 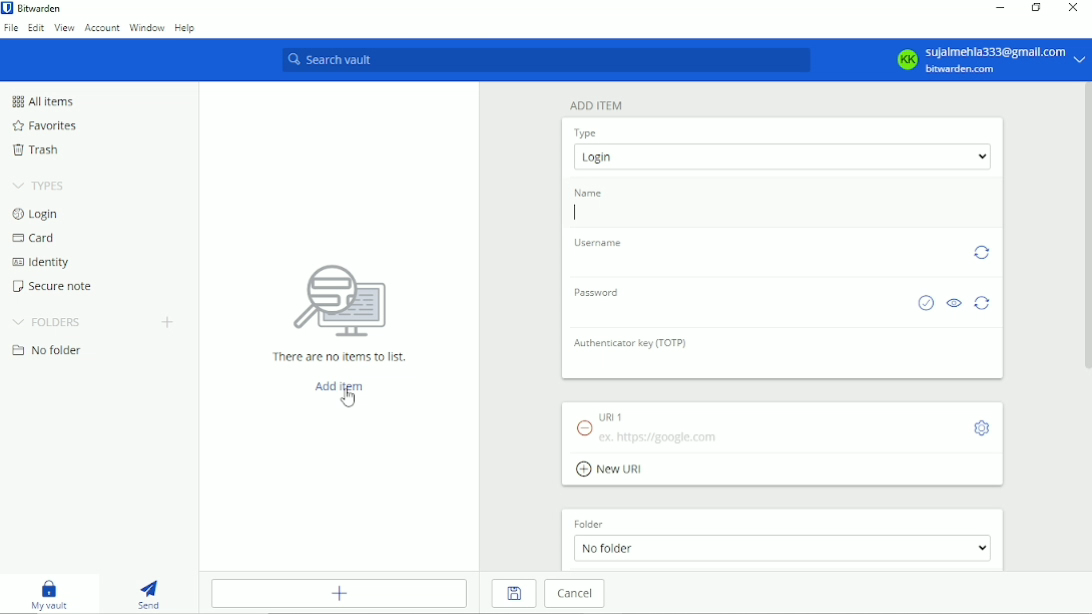 What do you see at coordinates (597, 242) in the screenshot?
I see `Username` at bounding box center [597, 242].